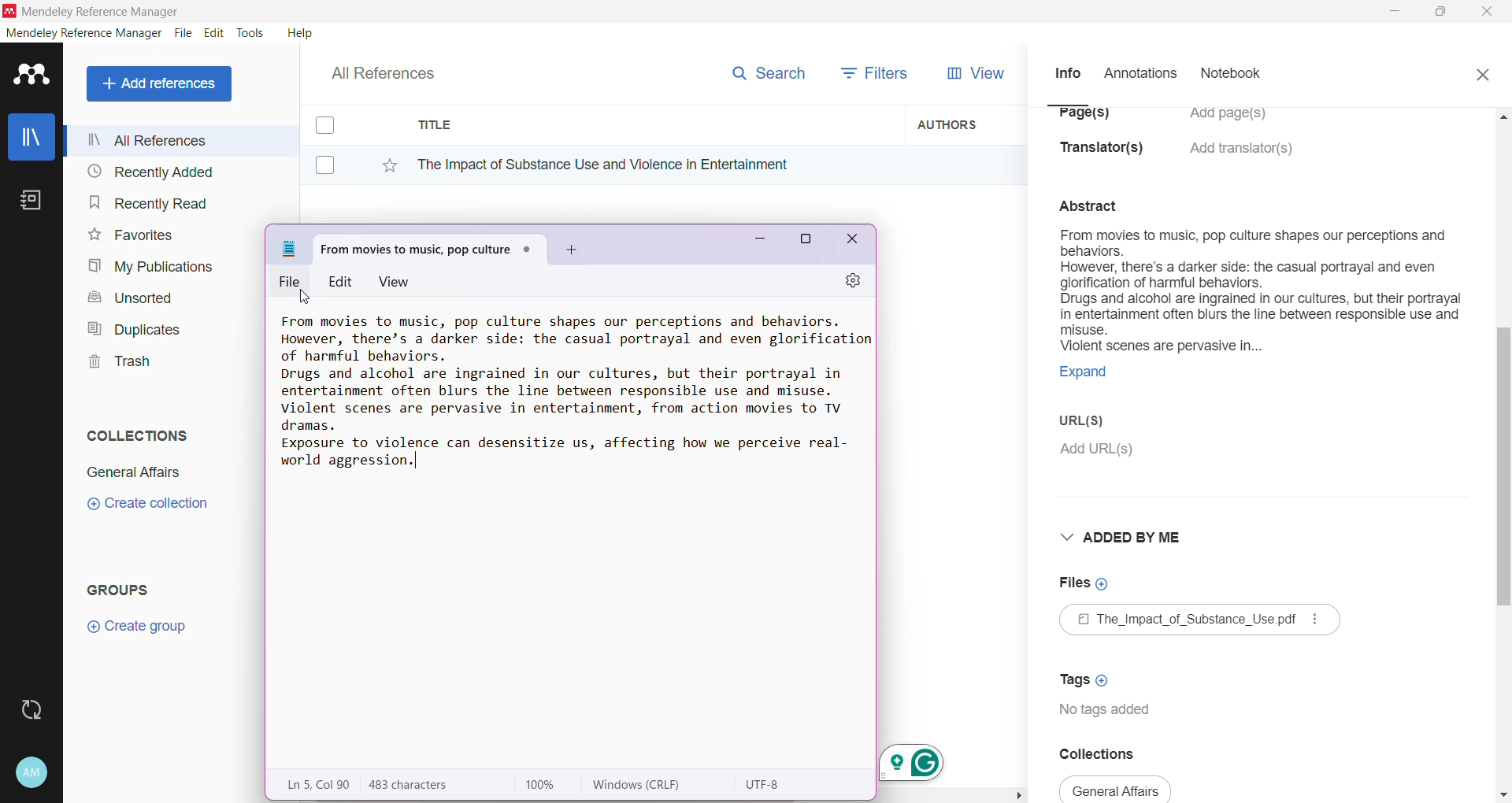 This screenshot has width=1512, height=803. What do you see at coordinates (1117, 789) in the screenshot?
I see `collections available` at bounding box center [1117, 789].